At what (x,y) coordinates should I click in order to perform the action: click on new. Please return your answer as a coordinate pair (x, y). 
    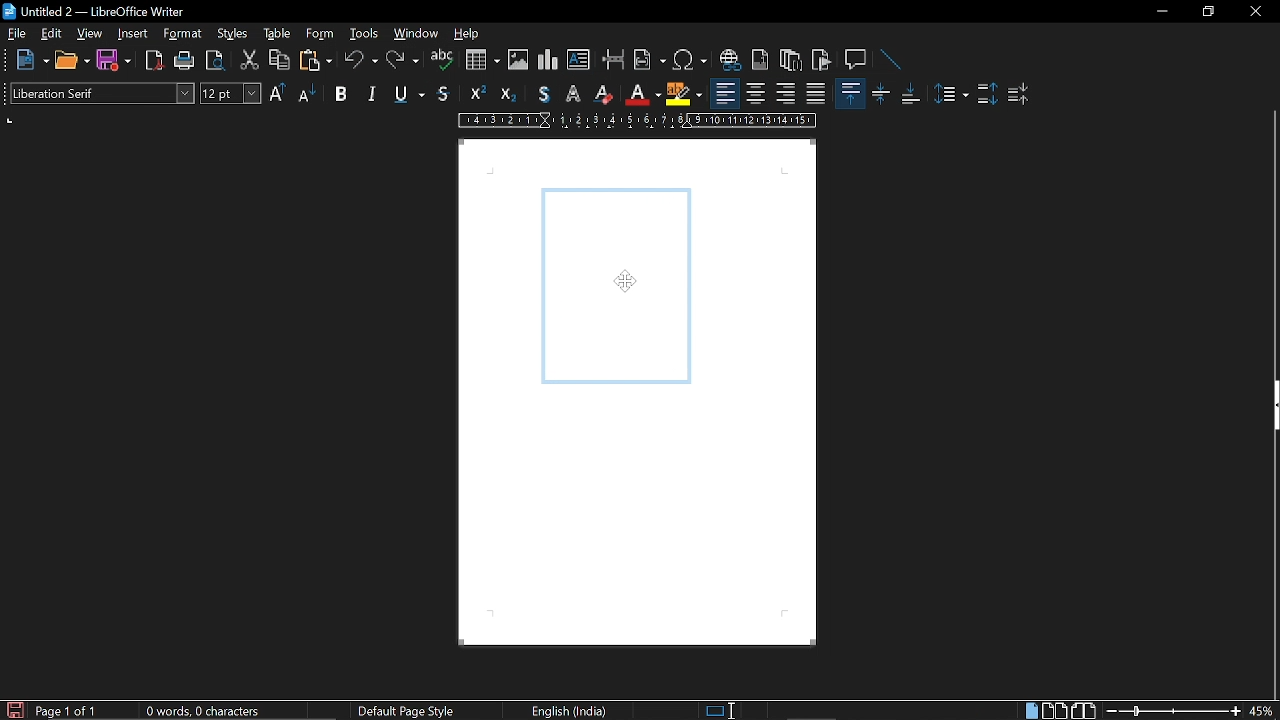
    Looking at the image, I should click on (31, 59).